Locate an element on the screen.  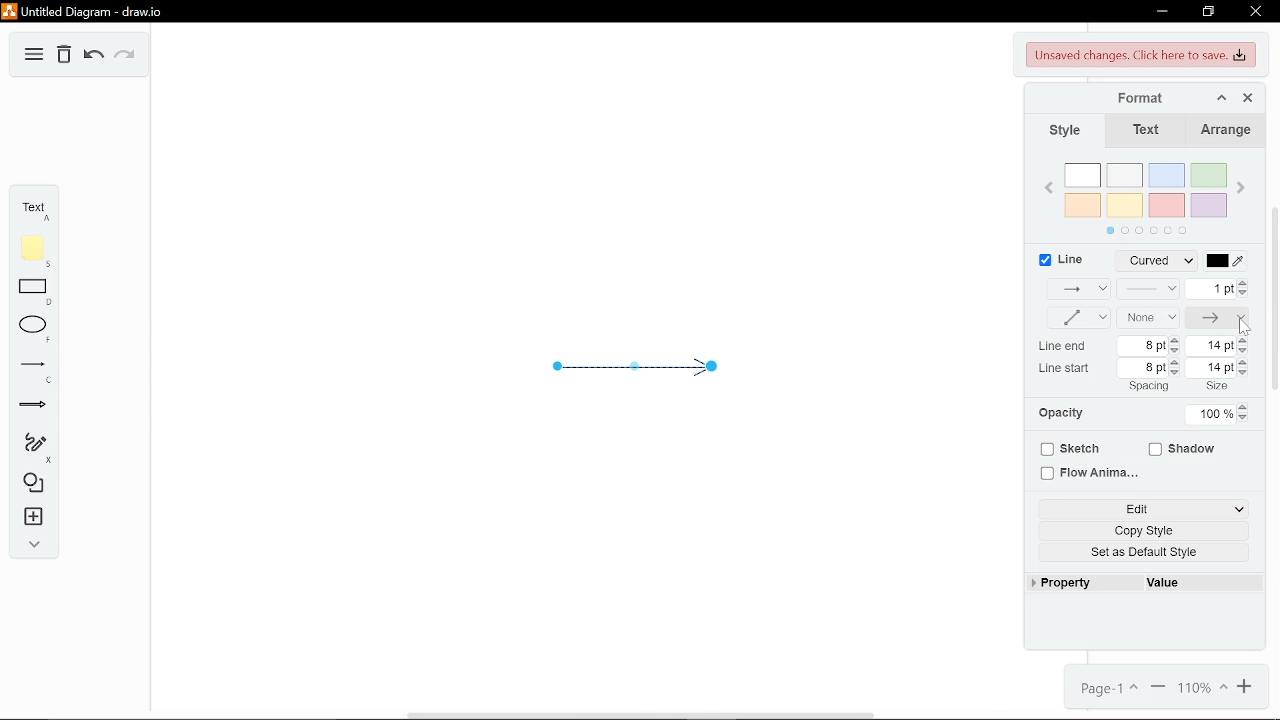
Rectangle is located at coordinates (34, 292).